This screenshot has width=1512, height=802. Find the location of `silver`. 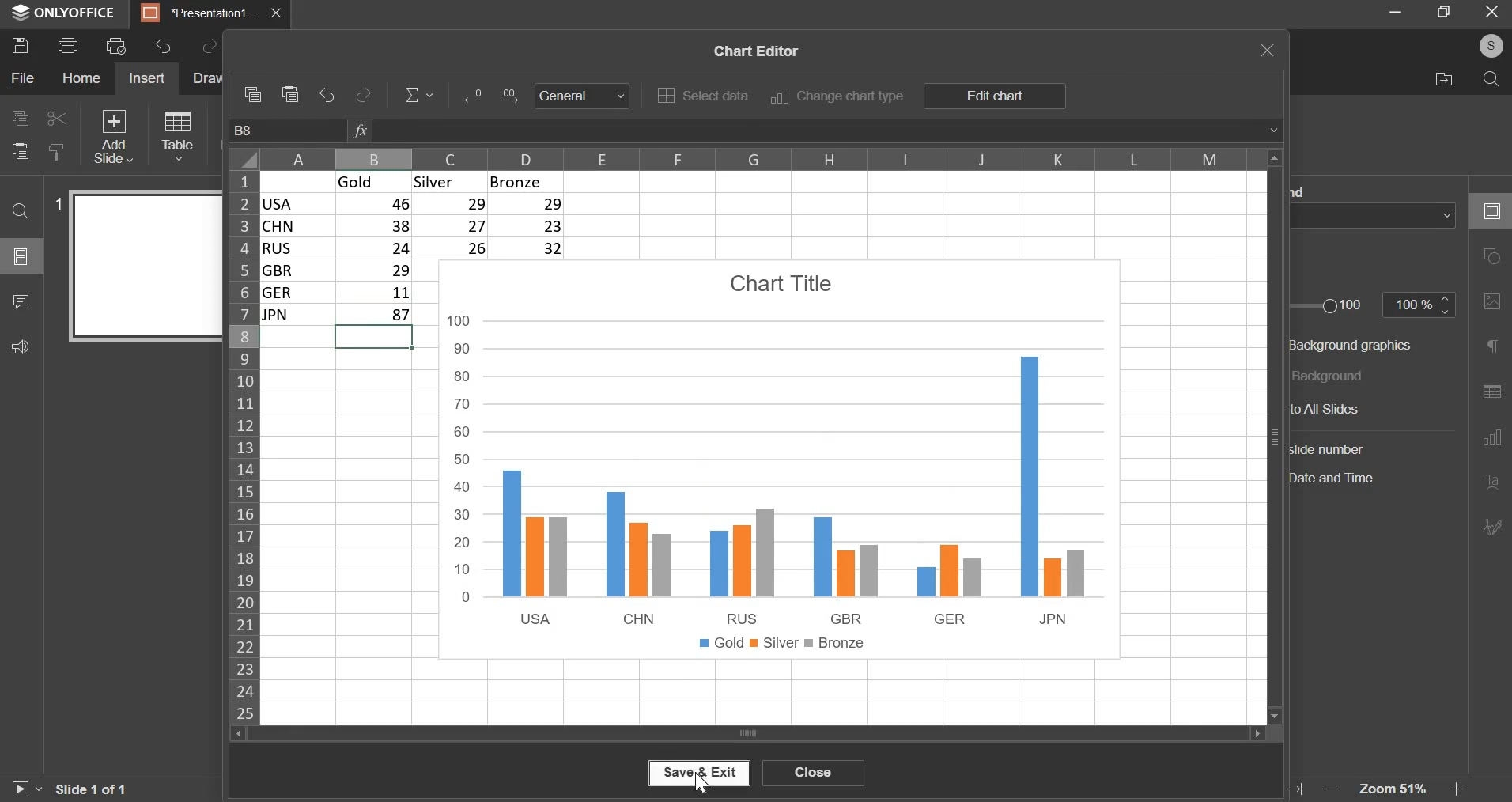

silver is located at coordinates (444, 181).